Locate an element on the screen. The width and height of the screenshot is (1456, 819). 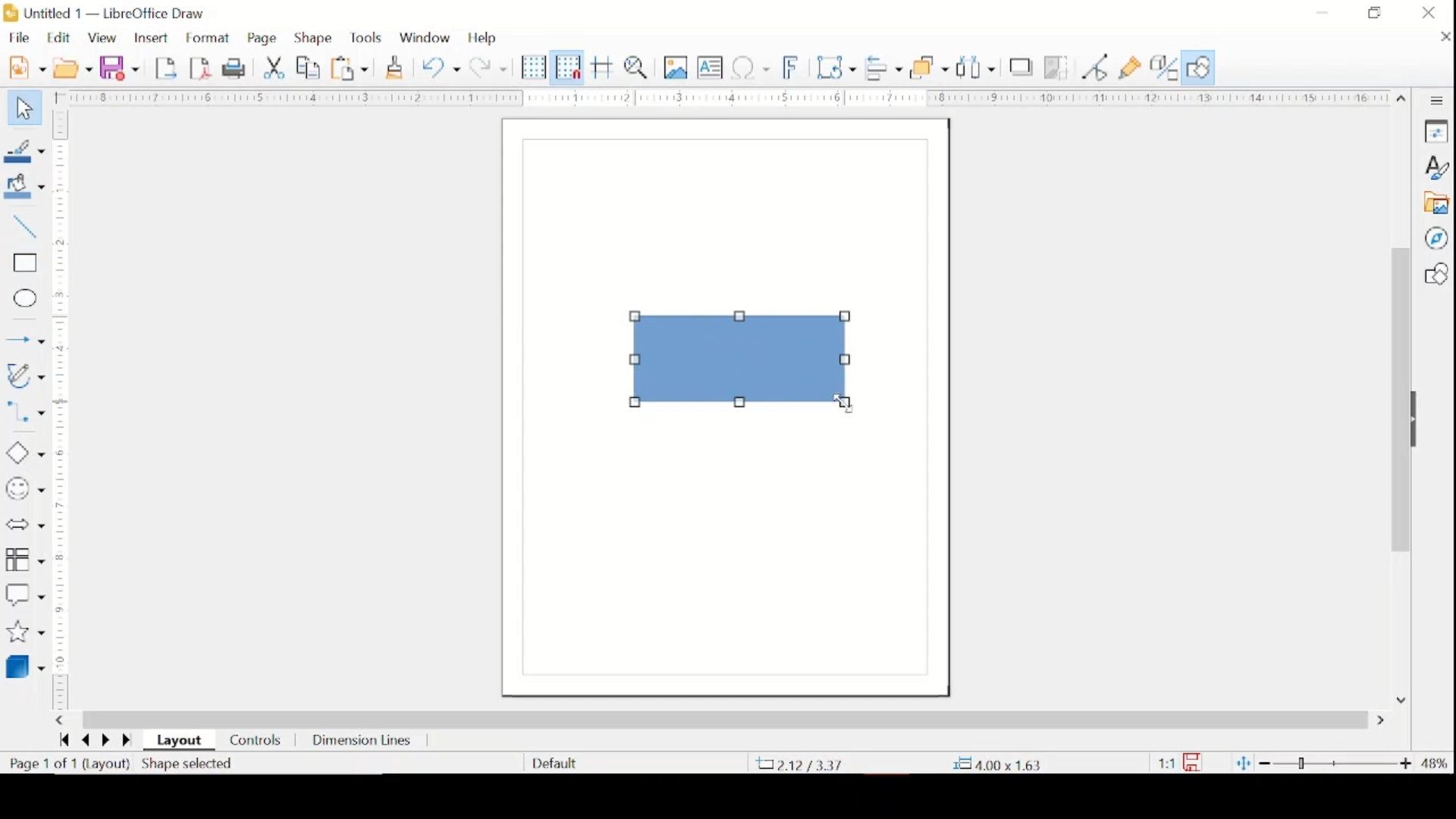
zoom level is located at coordinates (1436, 764).